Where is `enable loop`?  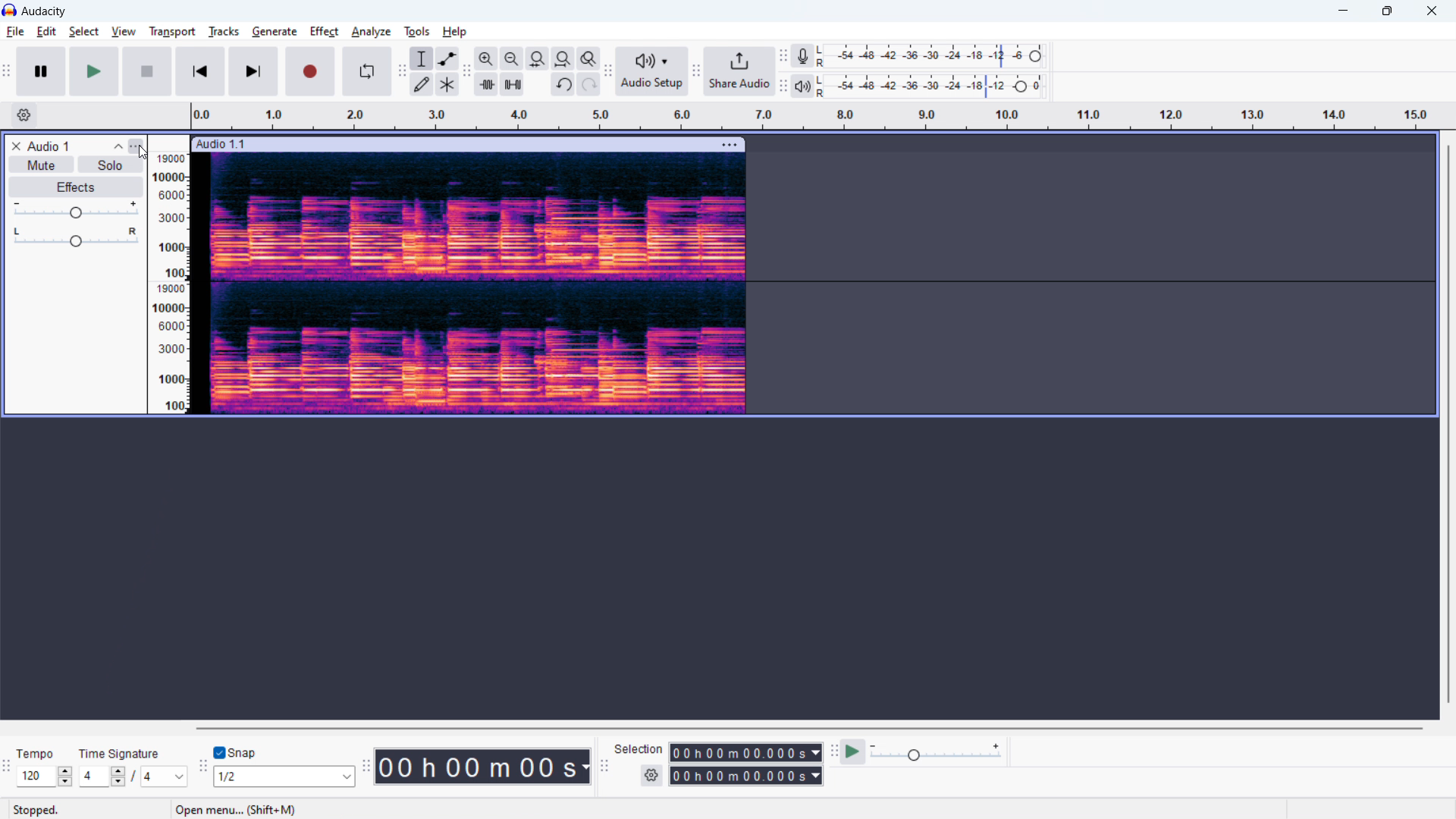 enable loop is located at coordinates (367, 73).